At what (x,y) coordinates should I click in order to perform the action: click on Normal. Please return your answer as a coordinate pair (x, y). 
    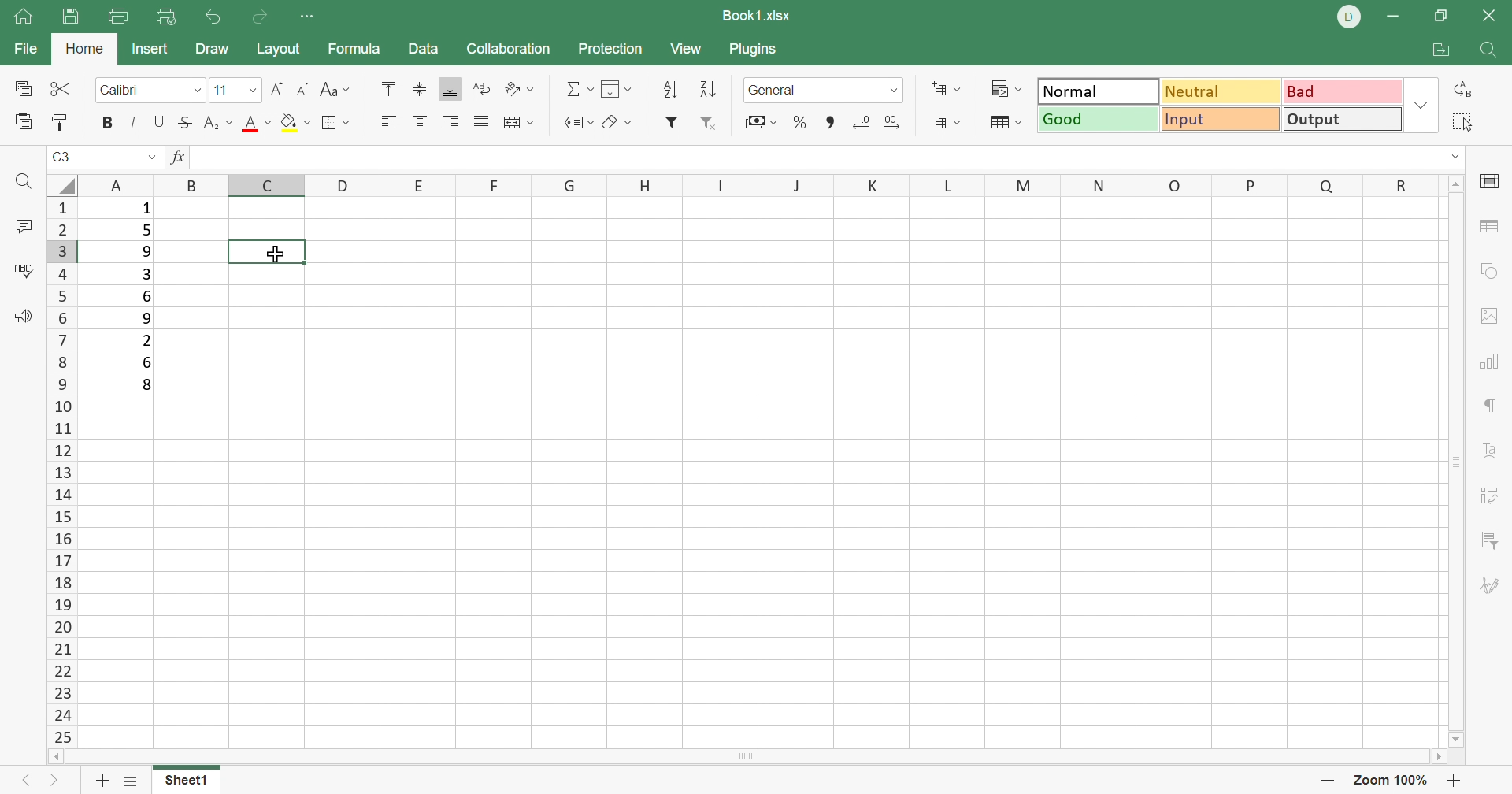
    Looking at the image, I should click on (1094, 91).